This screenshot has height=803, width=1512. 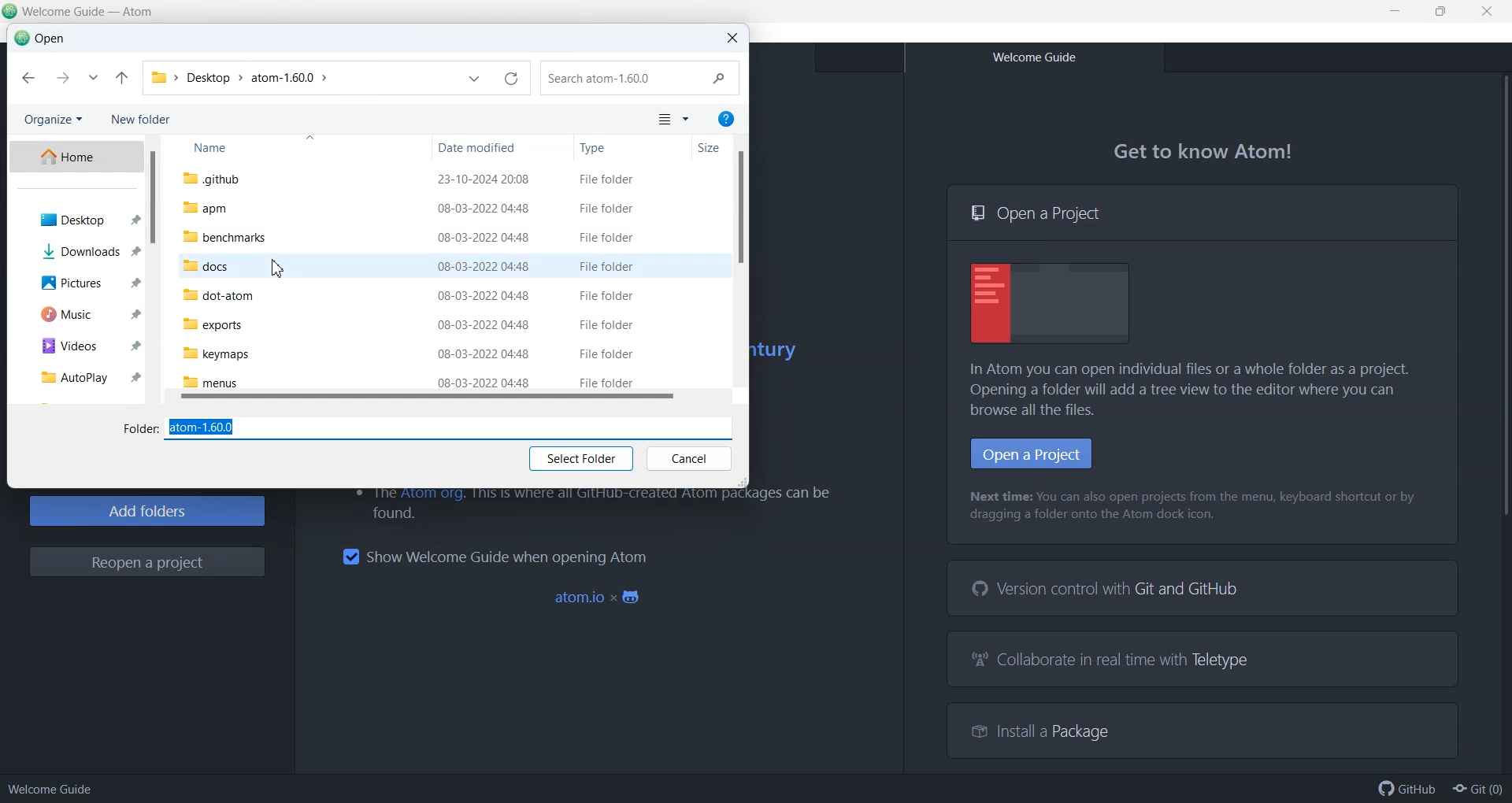 What do you see at coordinates (283, 77) in the screenshot?
I see `atom-1.60.0` at bounding box center [283, 77].